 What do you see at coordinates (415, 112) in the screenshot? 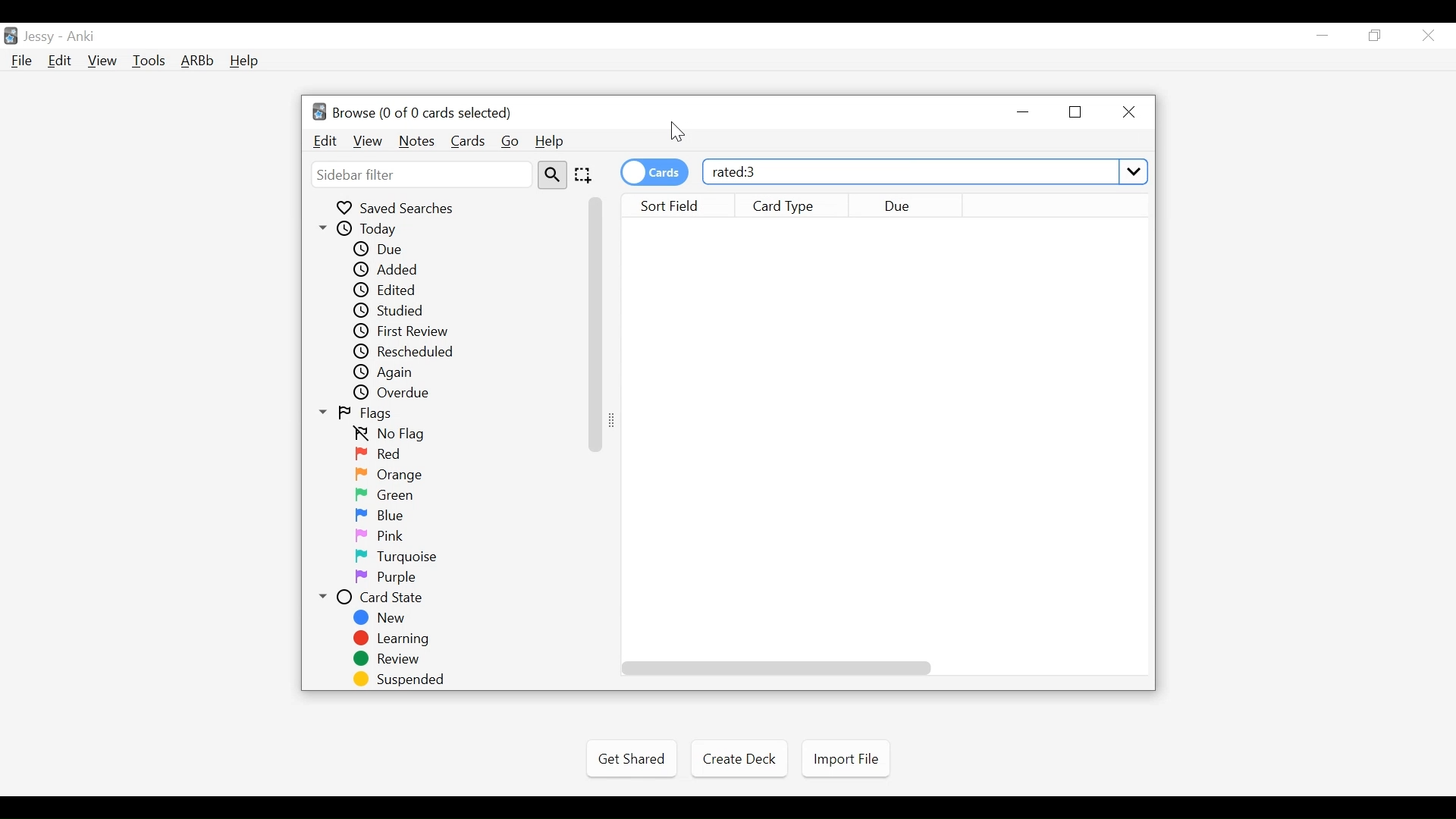
I see `Browse (number of cards selected)` at bounding box center [415, 112].